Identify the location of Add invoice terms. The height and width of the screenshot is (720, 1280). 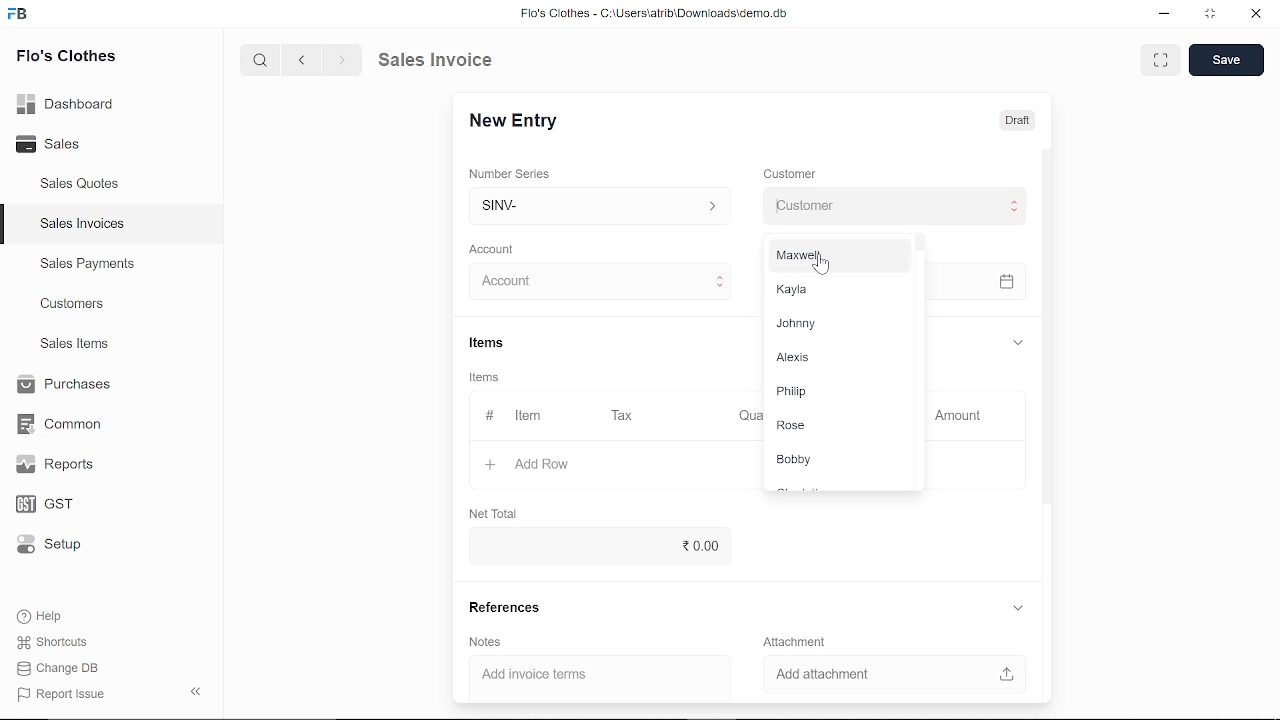
(601, 676).